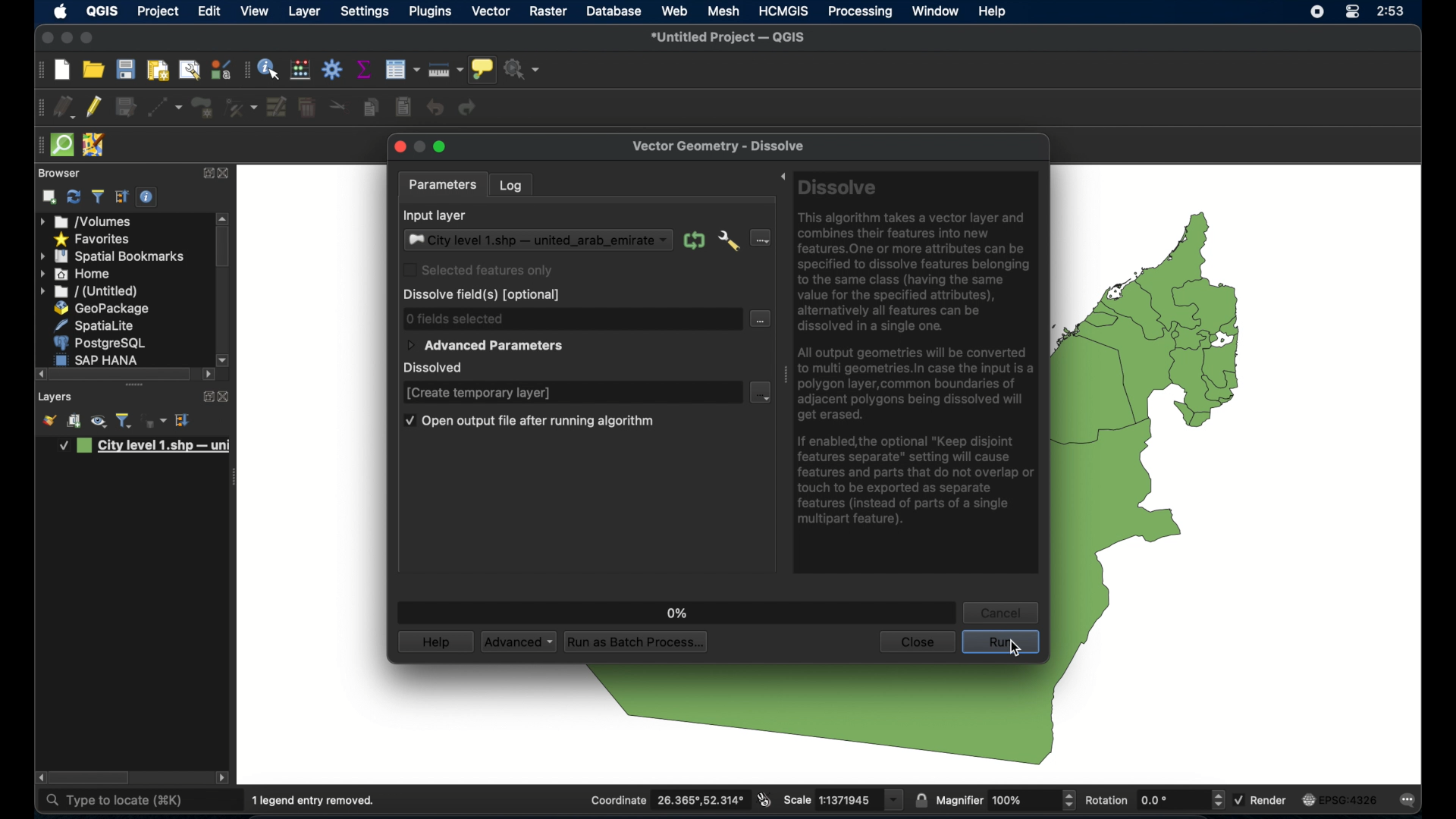 This screenshot has height=819, width=1456. What do you see at coordinates (49, 422) in the screenshot?
I see `open layer styling panel` at bounding box center [49, 422].